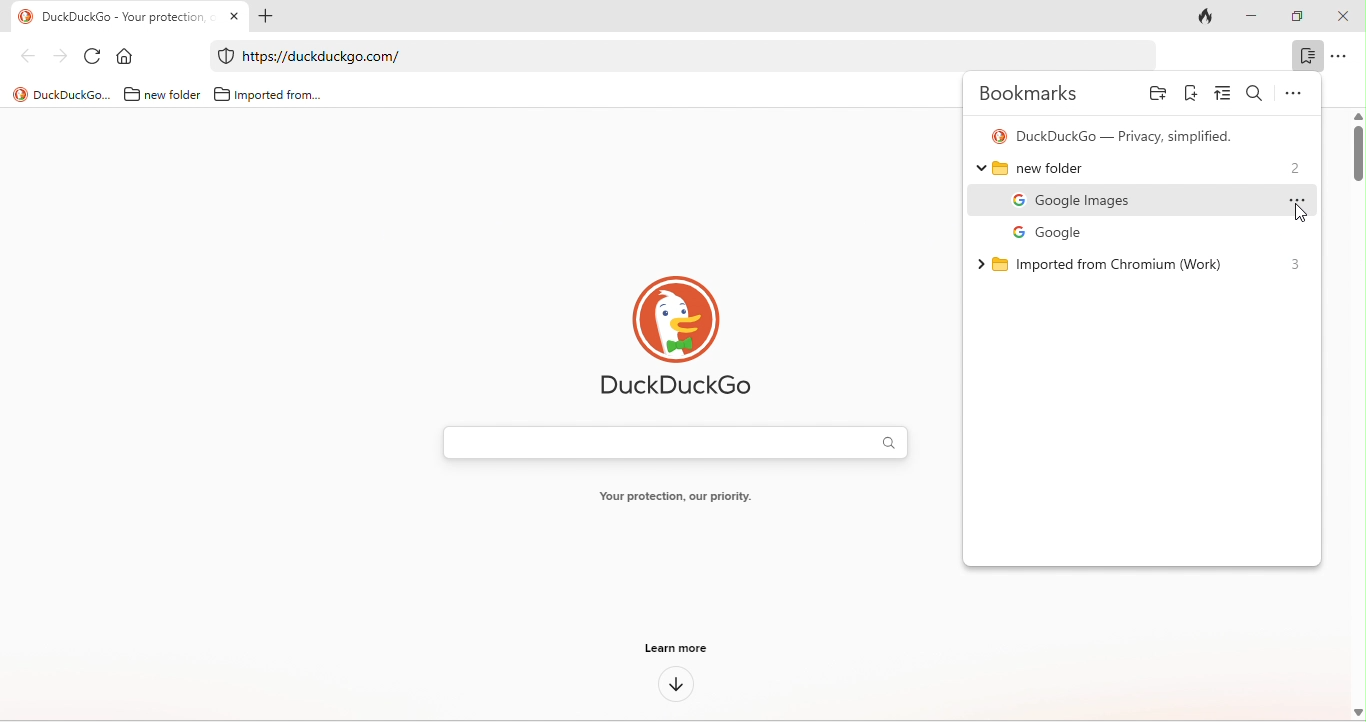 This screenshot has height=722, width=1366. I want to click on title, so click(58, 94).